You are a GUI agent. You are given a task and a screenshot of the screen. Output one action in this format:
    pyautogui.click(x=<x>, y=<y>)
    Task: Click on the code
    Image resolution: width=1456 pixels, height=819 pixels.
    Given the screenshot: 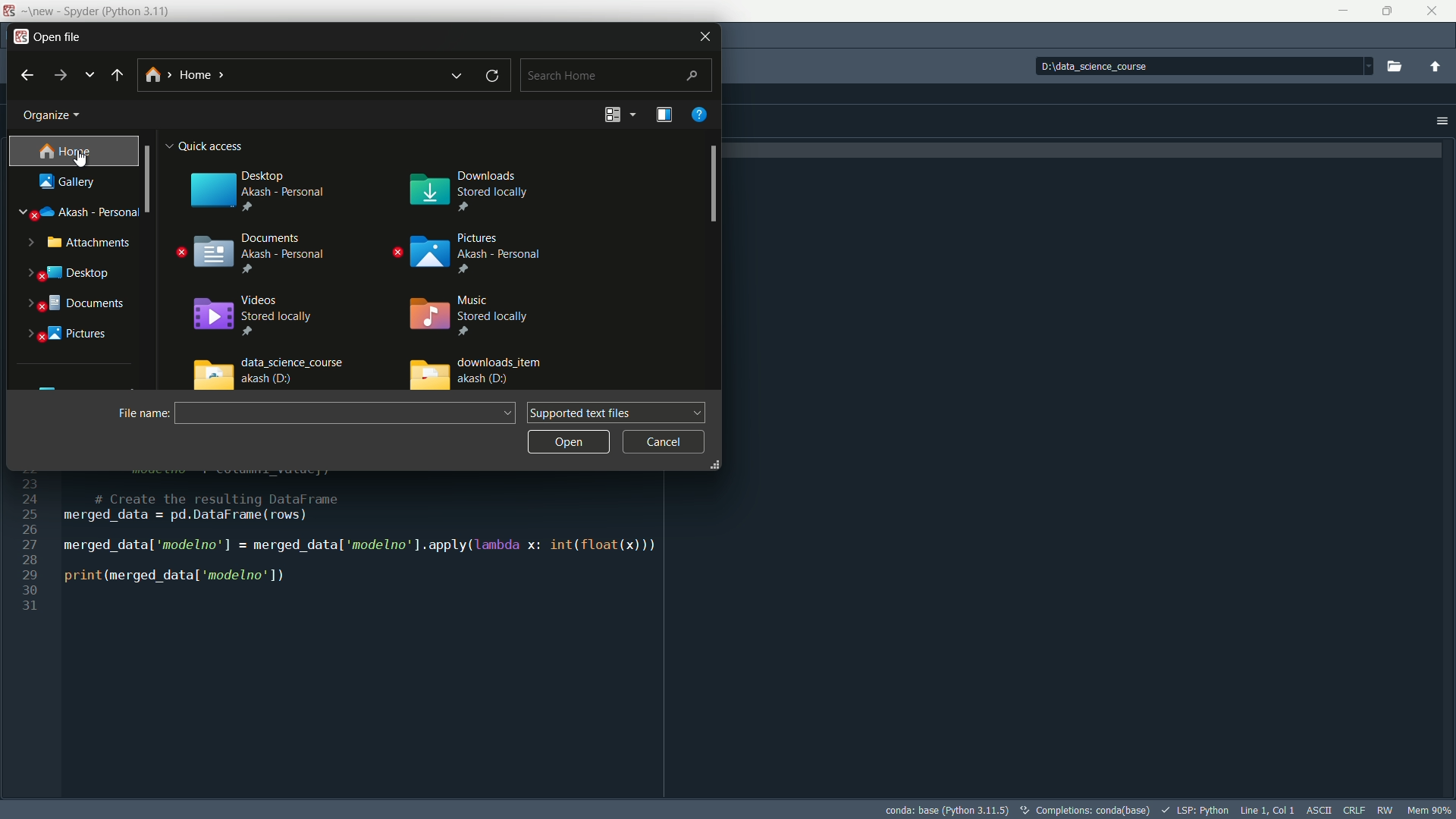 What is the action you would take?
    pyautogui.click(x=393, y=532)
    